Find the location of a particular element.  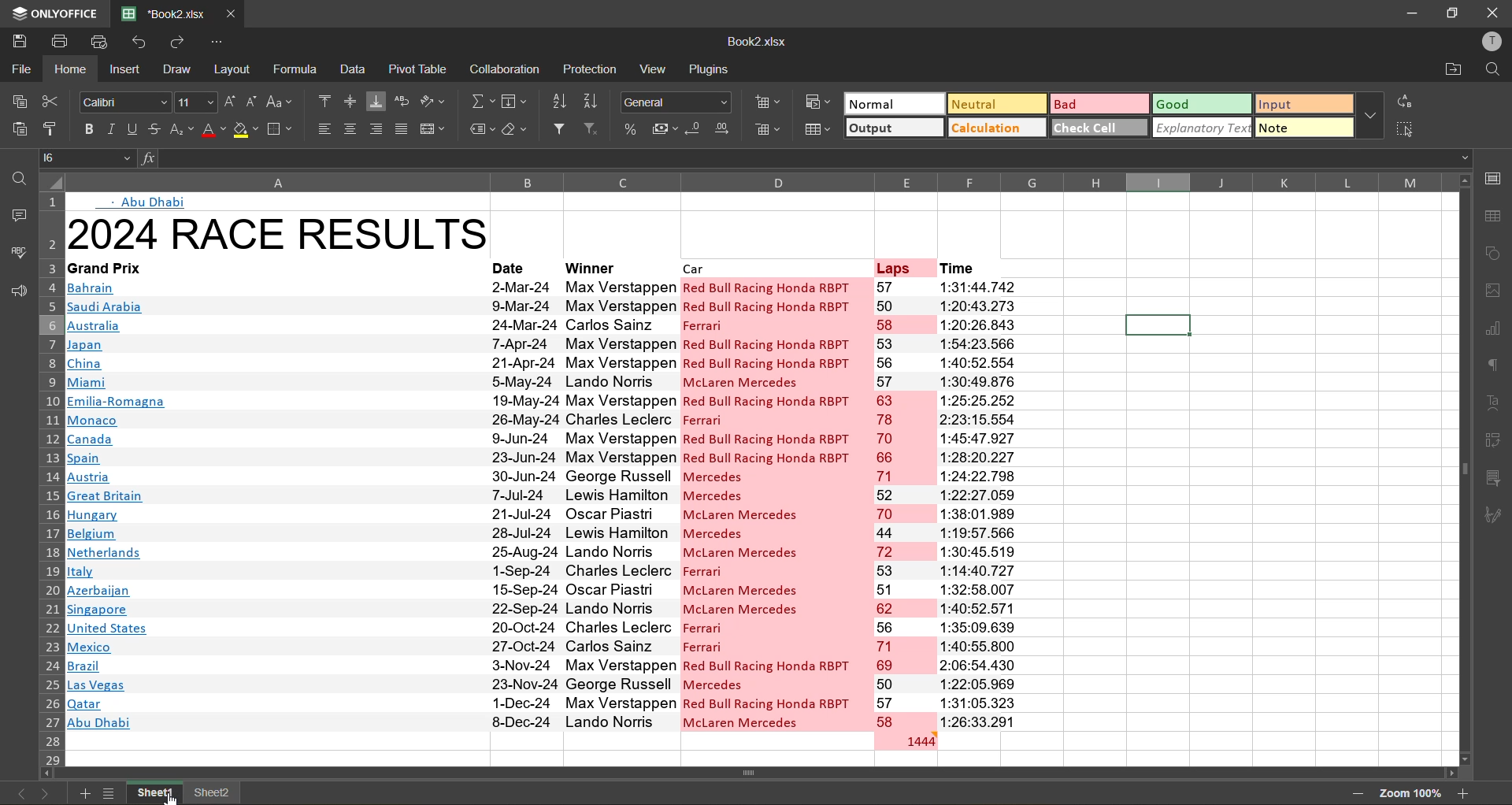

normal is located at coordinates (892, 105).